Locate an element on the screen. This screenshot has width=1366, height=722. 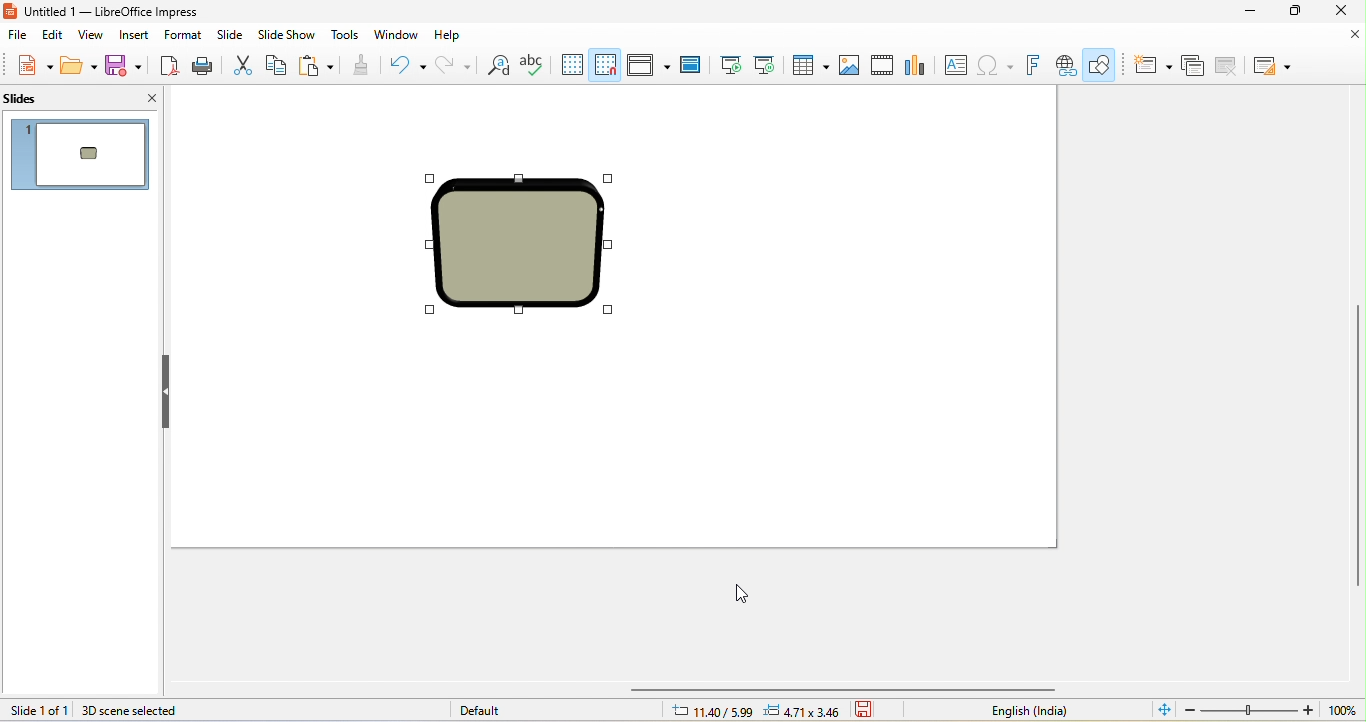
clone formatting is located at coordinates (362, 64).